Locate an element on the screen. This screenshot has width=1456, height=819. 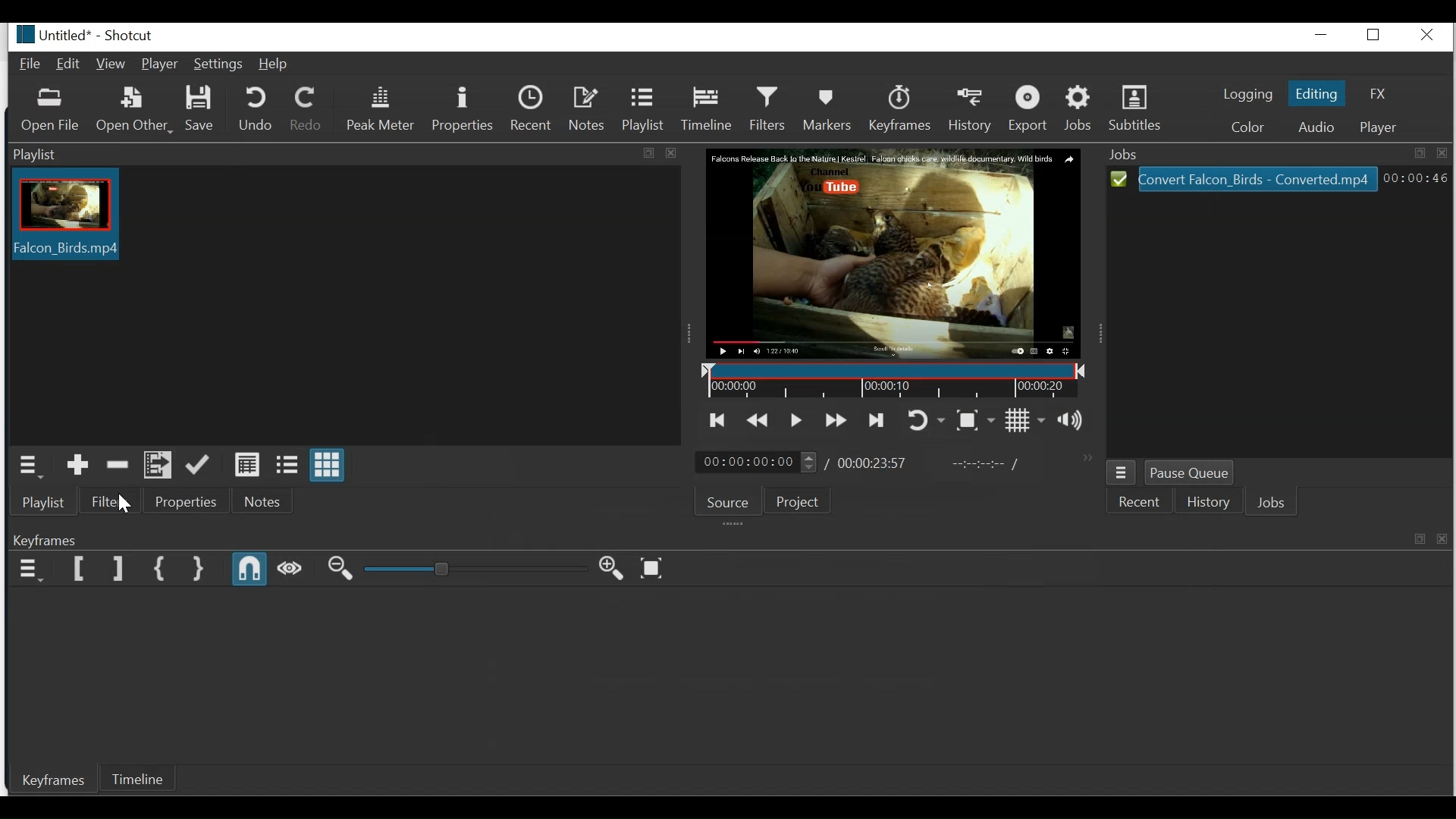
Convert Falcon_Birds -Converted.mp4(File) is located at coordinates (1244, 179).